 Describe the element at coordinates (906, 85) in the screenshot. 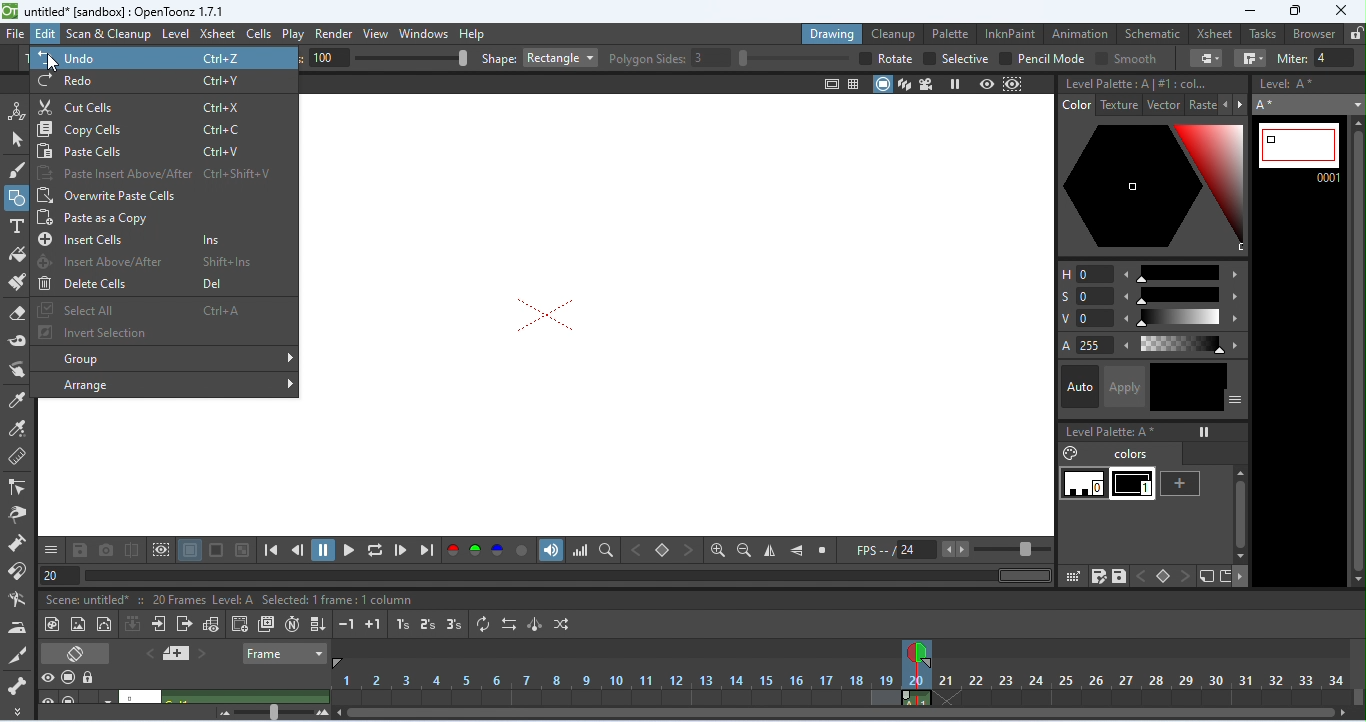

I see `3d view` at that location.